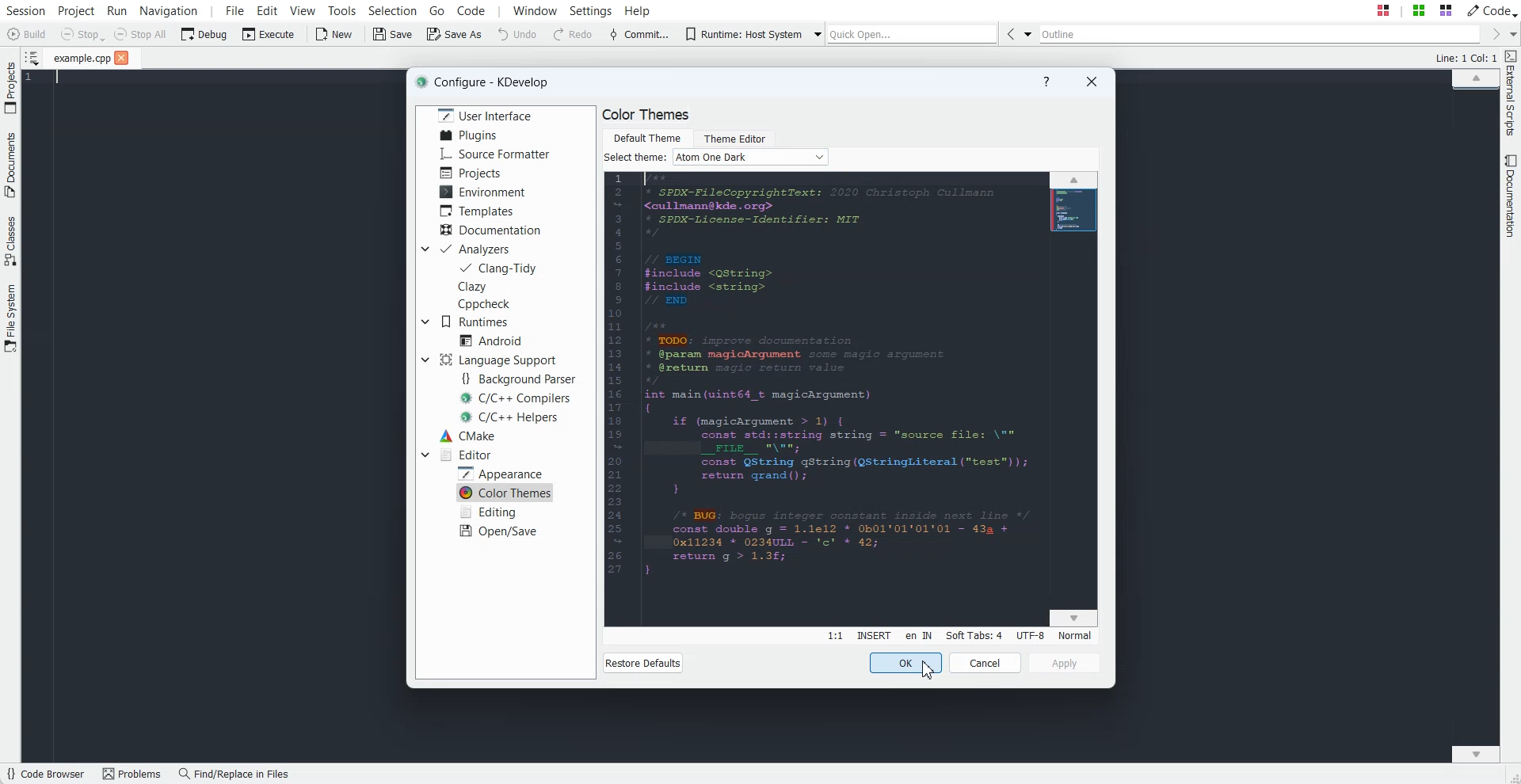 This screenshot has width=1521, height=784. What do you see at coordinates (873, 636) in the screenshot?
I see `Insert` at bounding box center [873, 636].